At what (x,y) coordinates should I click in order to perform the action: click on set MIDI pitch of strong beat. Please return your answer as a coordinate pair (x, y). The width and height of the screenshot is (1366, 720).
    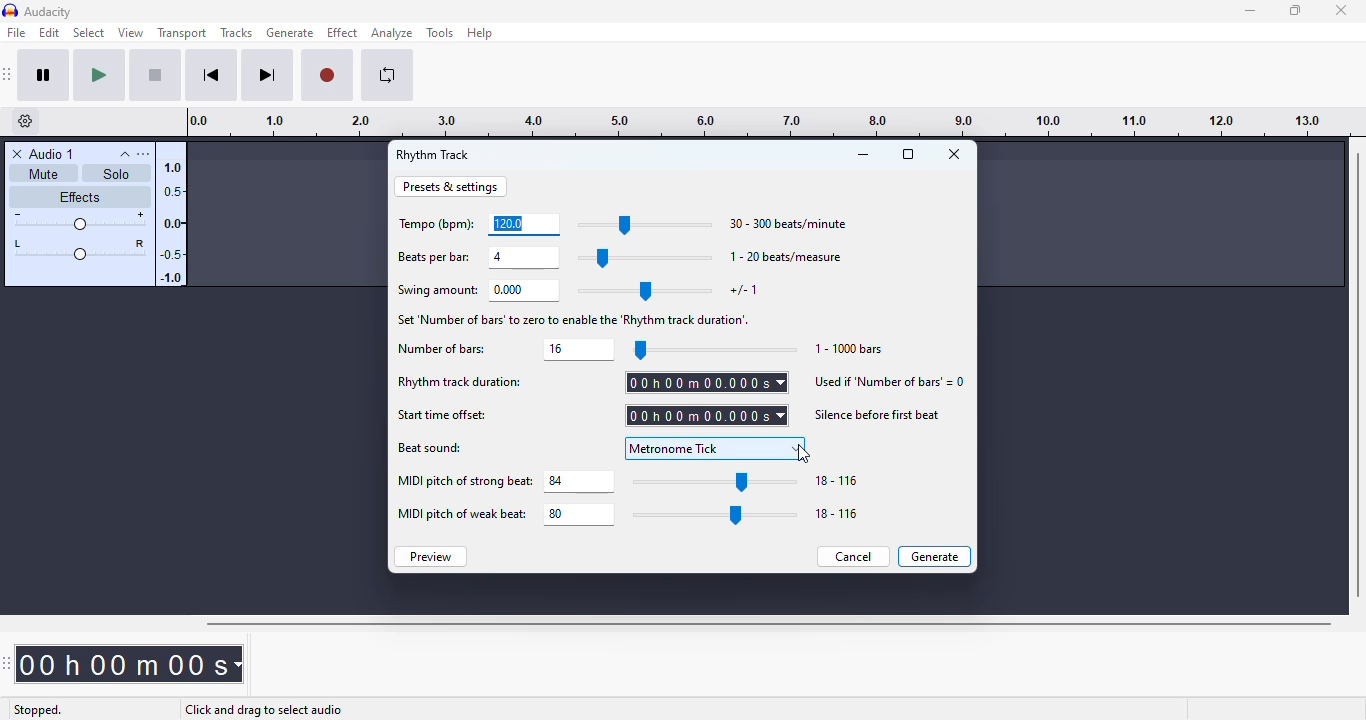
    Looking at the image, I should click on (581, 482).